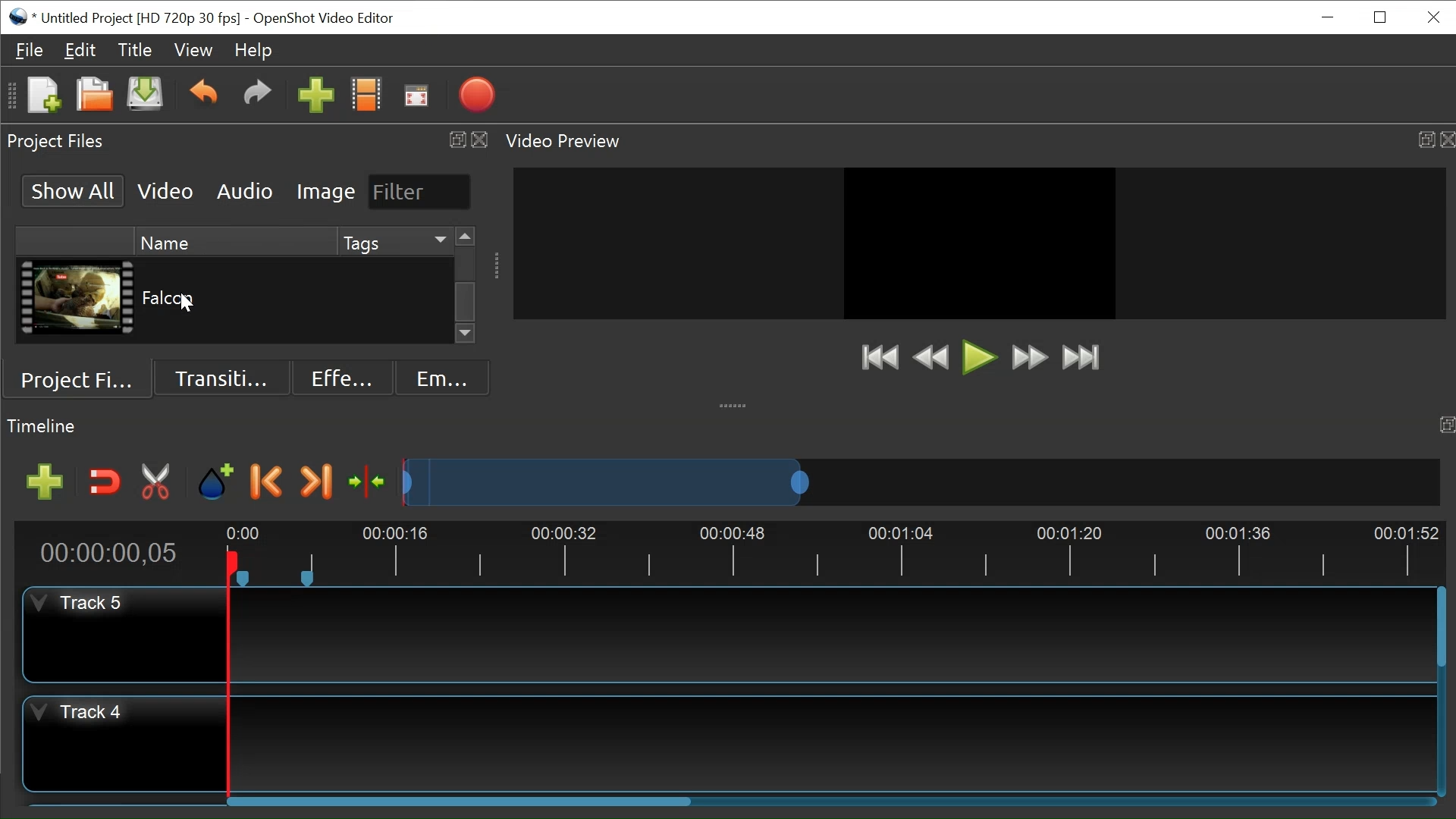 This screenshot has height=819, width=1456. I want to click on Scroll down, so click(466, 335).